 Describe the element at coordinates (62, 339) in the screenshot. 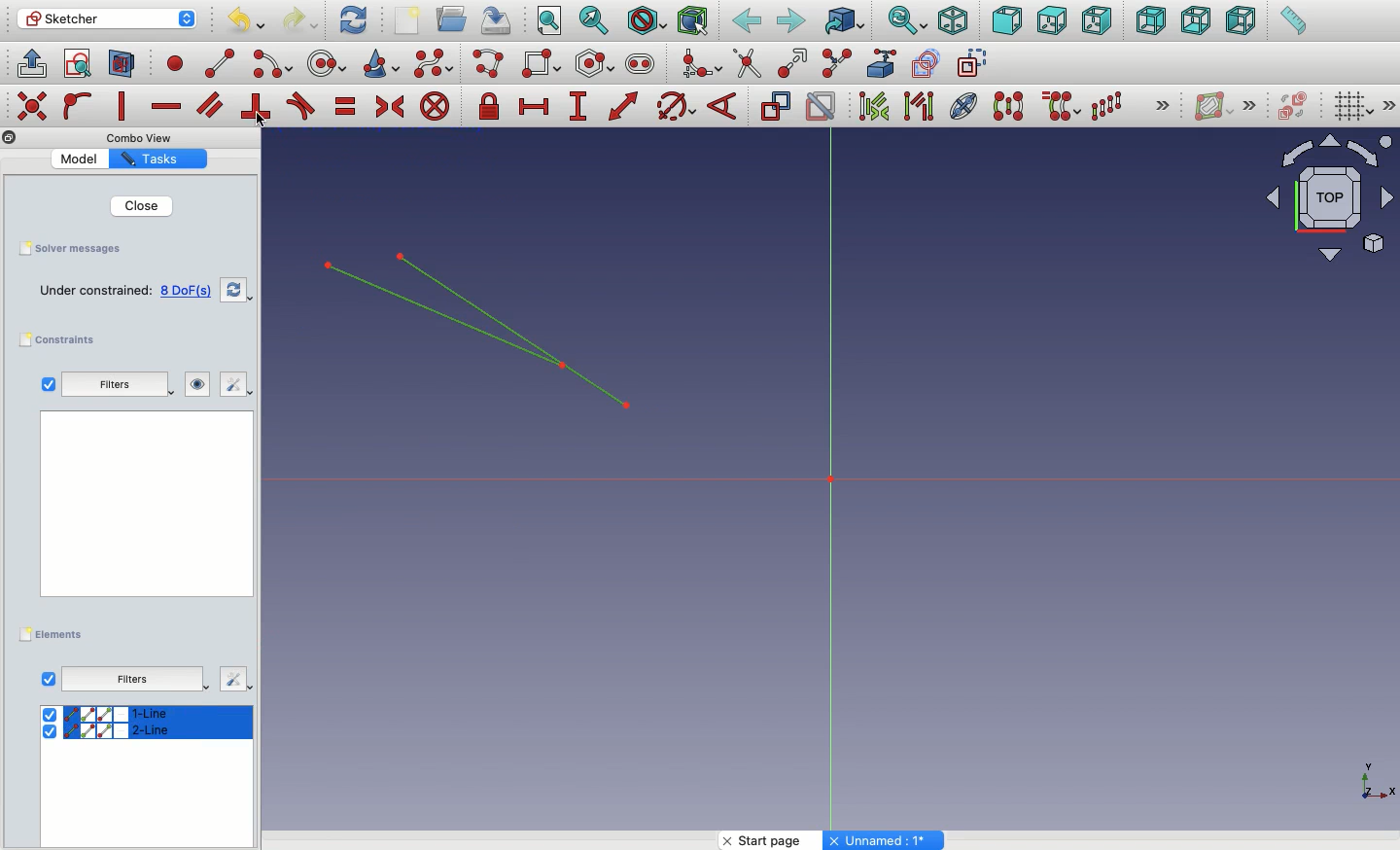

I see `Constraints ` at that location.